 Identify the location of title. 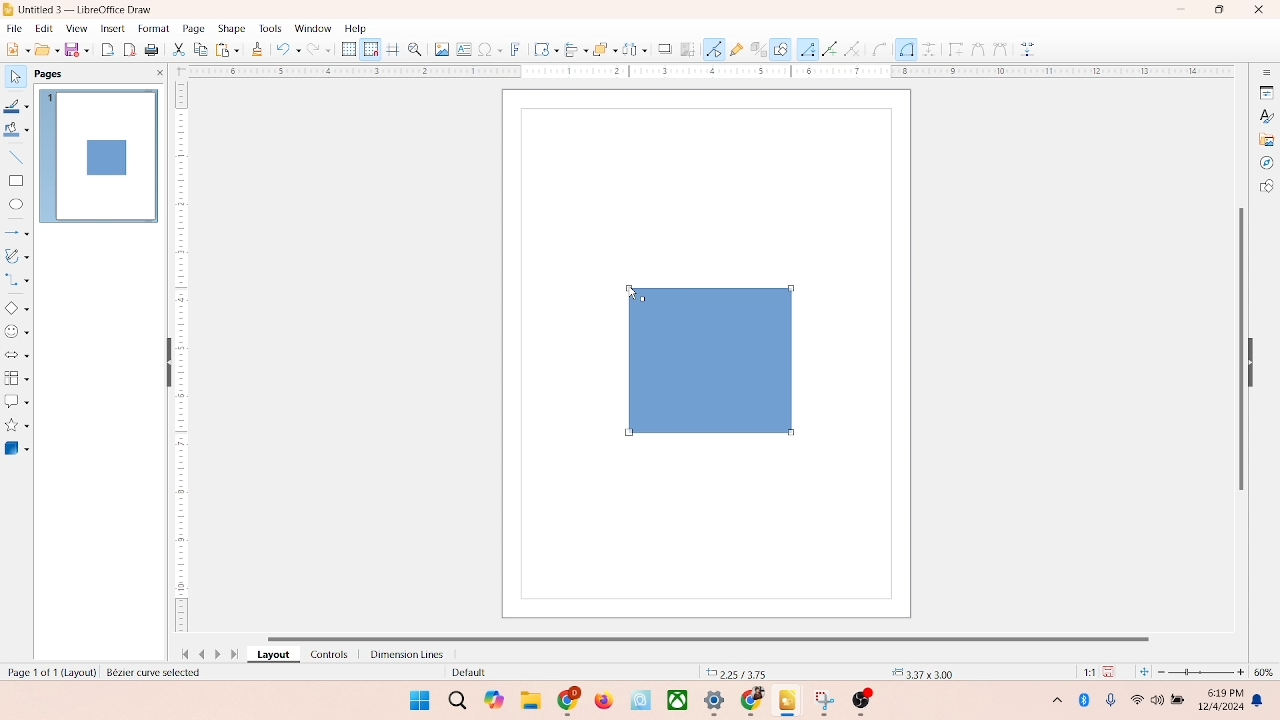
(87, 8).